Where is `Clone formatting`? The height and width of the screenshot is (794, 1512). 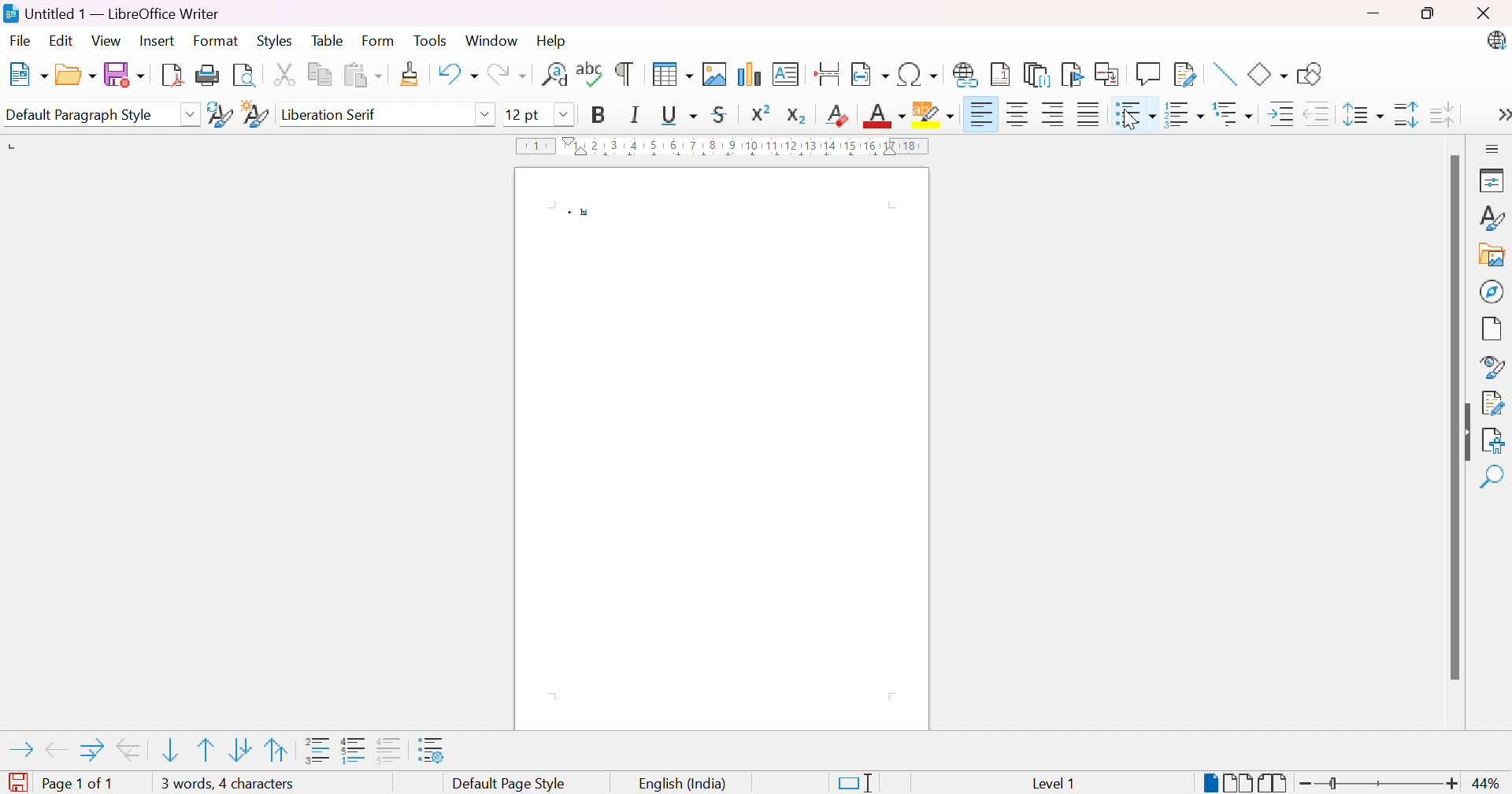 Clone formatting is located at coordinates (411, 75).